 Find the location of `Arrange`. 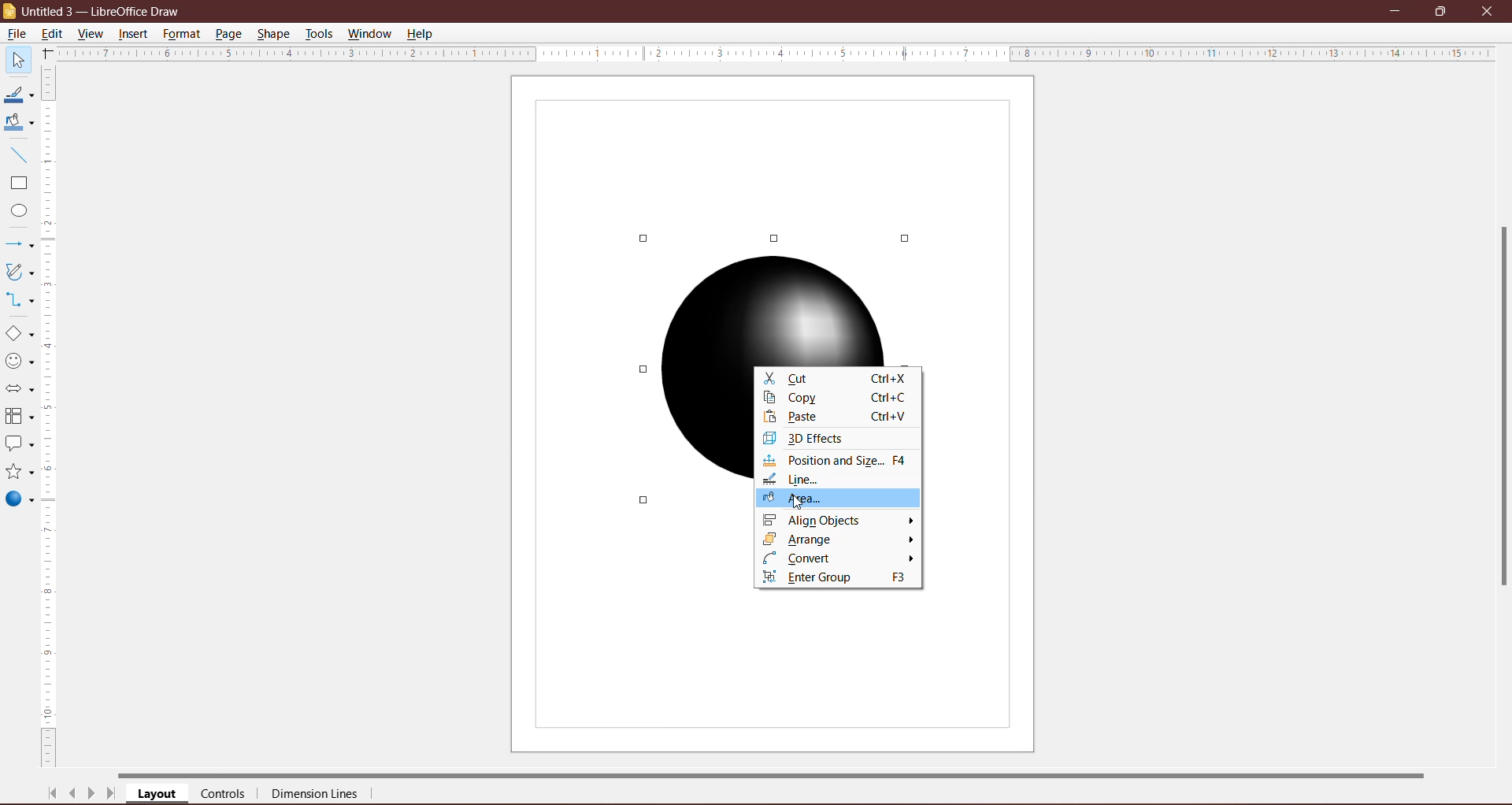

Arrange is located at coordinates (838, 540).